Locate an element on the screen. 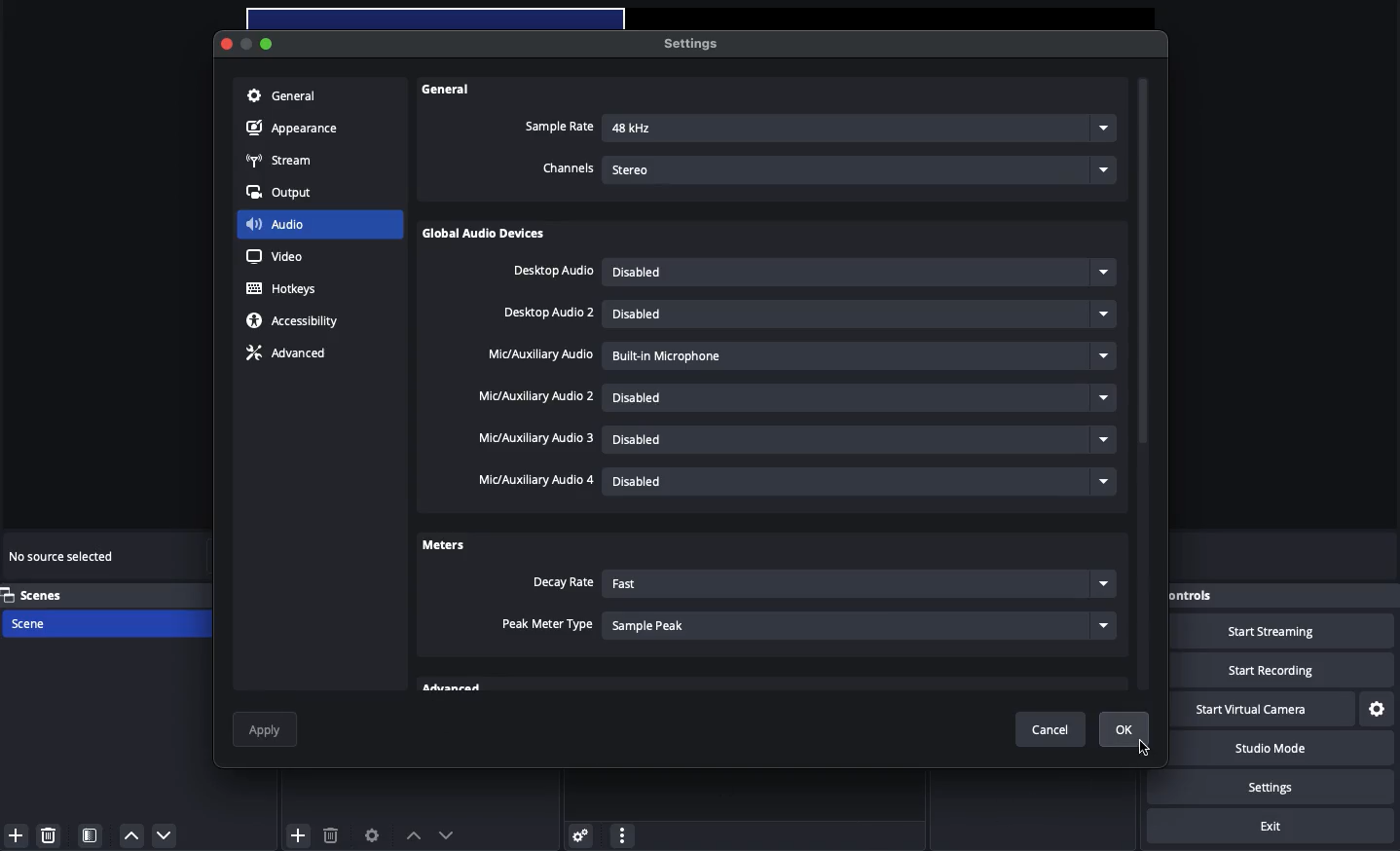  Disabled is located at coordinates (819, 355).